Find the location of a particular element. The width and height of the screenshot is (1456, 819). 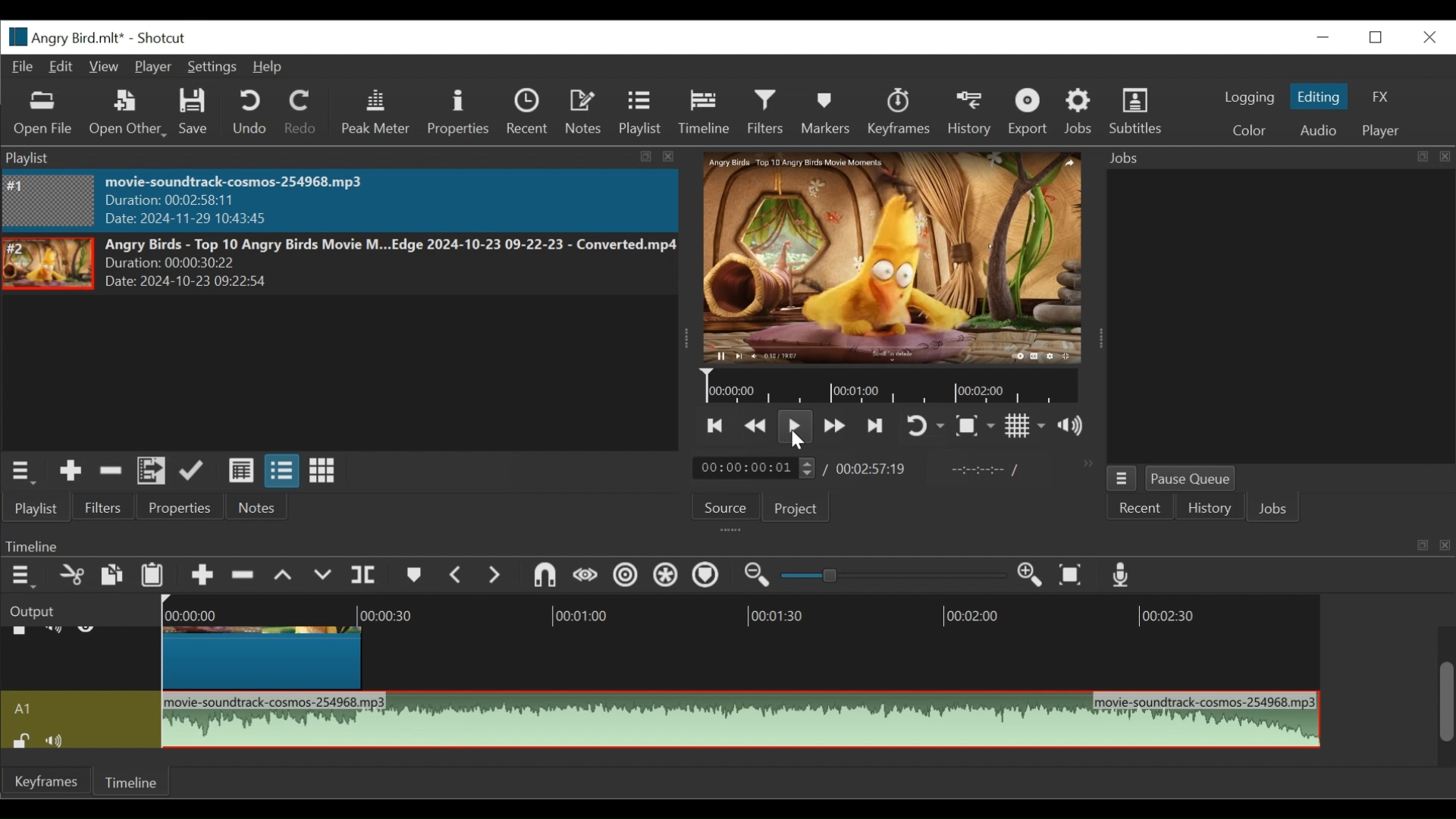

Snap is located at coordinates (542, 577).